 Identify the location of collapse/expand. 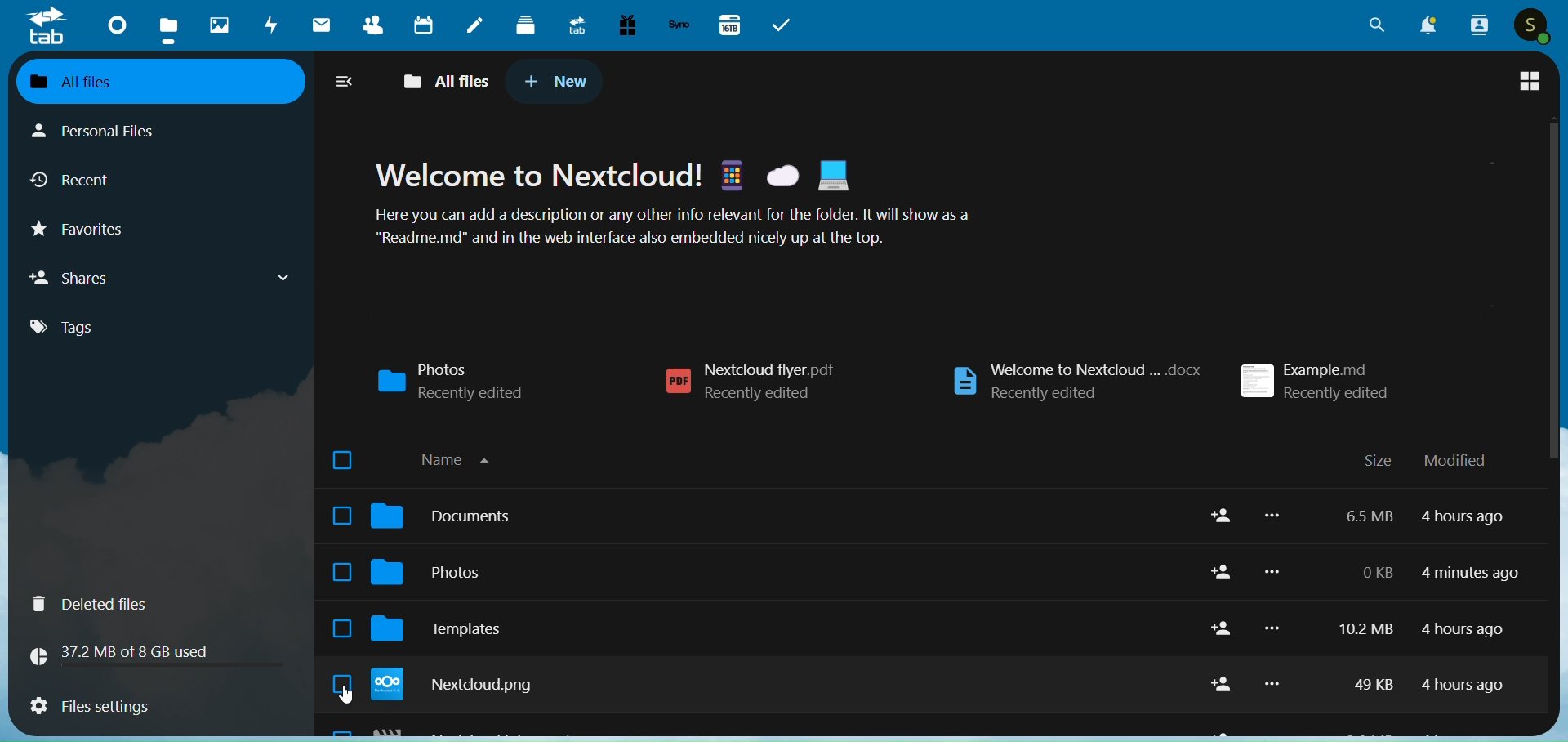
(344, 83).